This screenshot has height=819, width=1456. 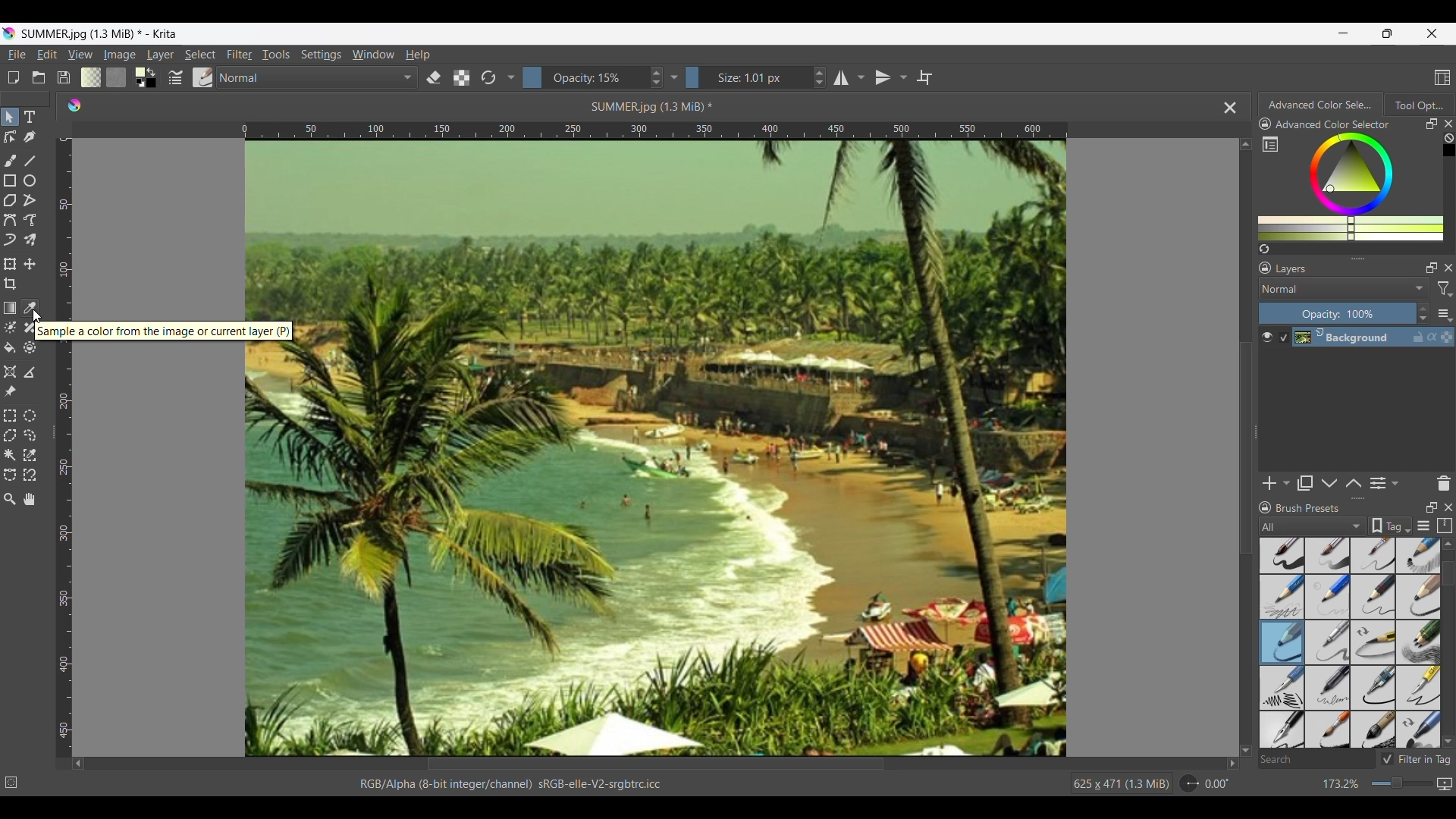 I want to click on Edit brush settings, so click(x=176, y=77).